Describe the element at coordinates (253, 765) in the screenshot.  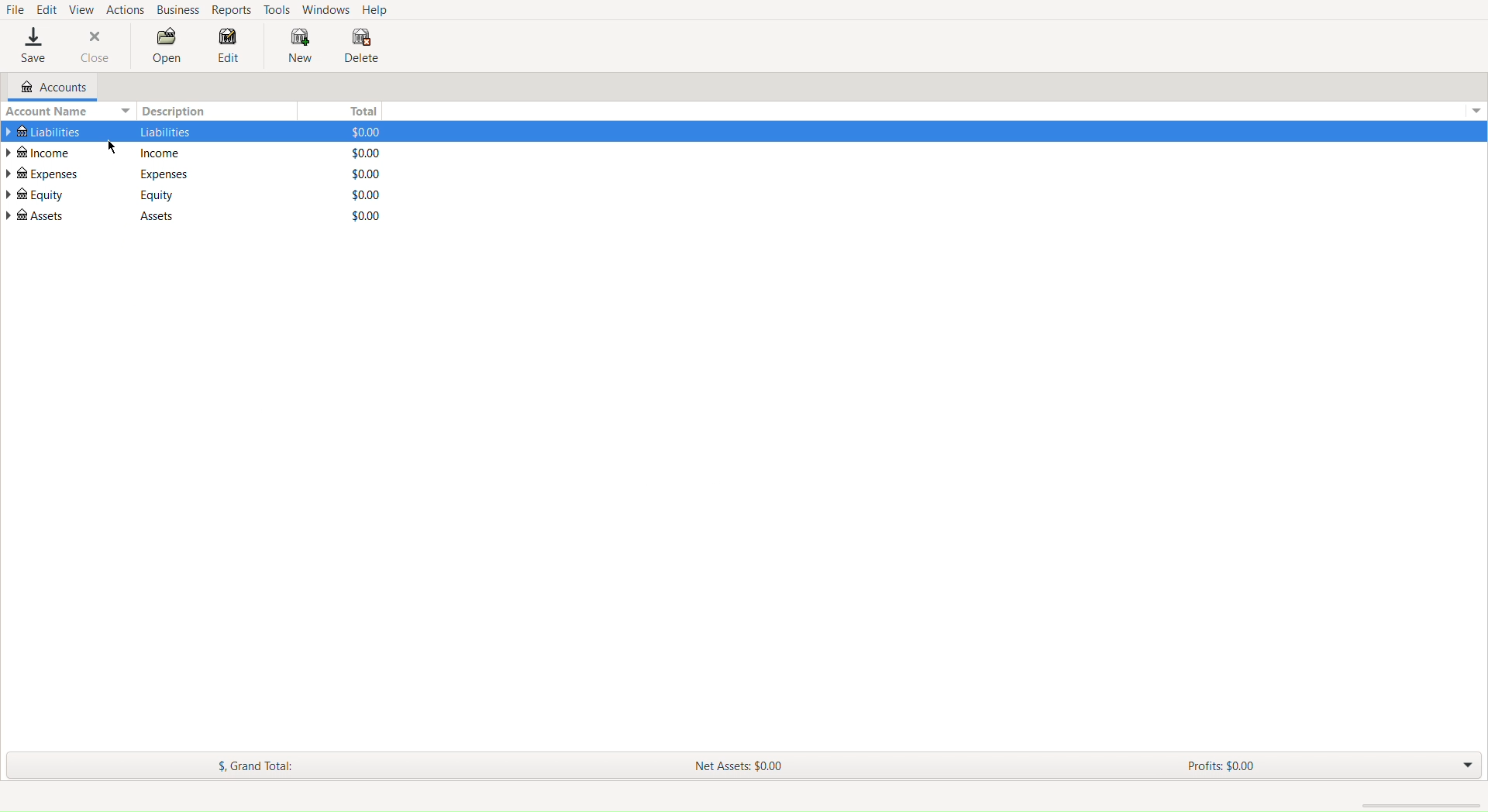
I see `Grand Total` at that location.